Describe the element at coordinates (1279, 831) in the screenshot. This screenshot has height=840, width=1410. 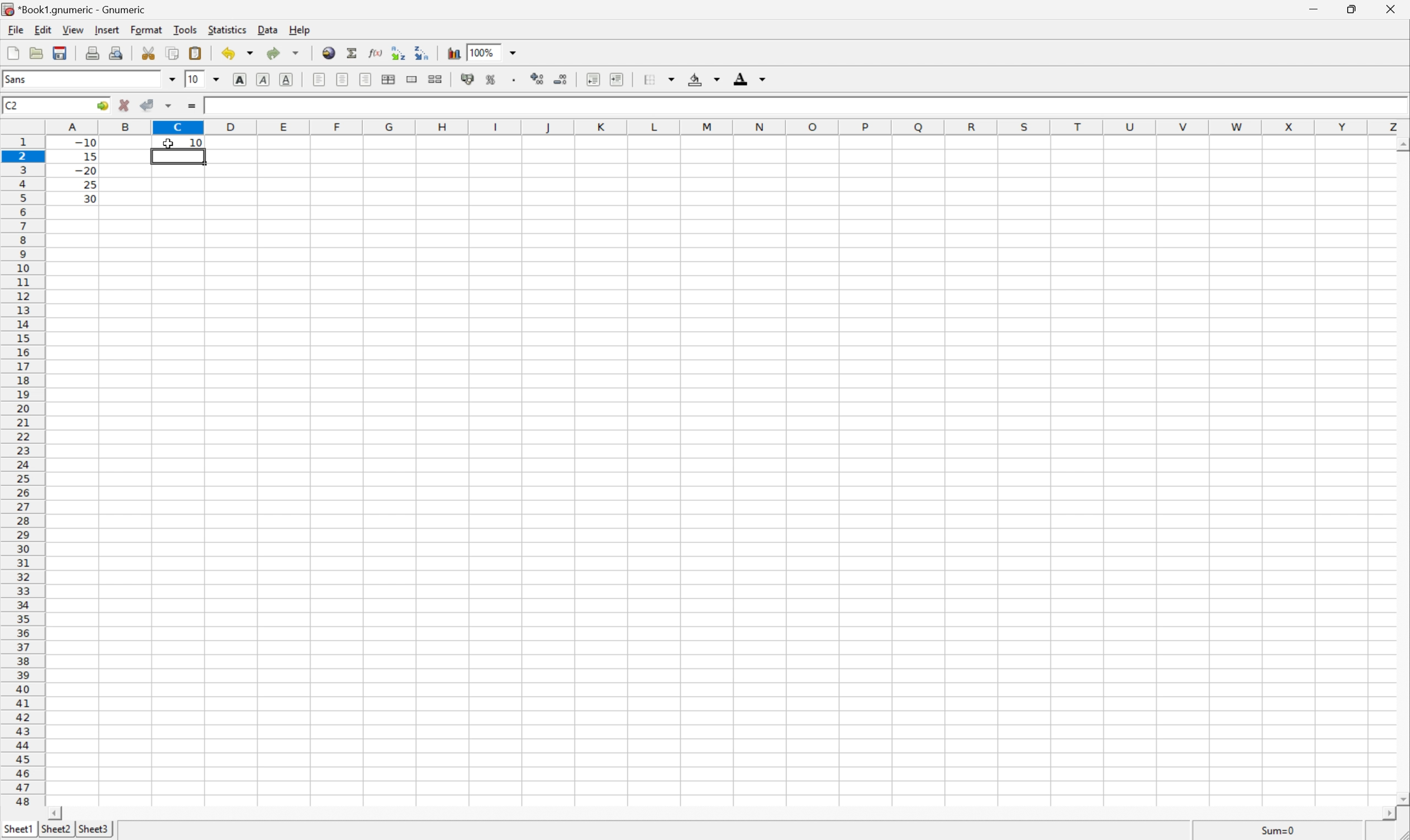
I see `Sum =-10` at that location.